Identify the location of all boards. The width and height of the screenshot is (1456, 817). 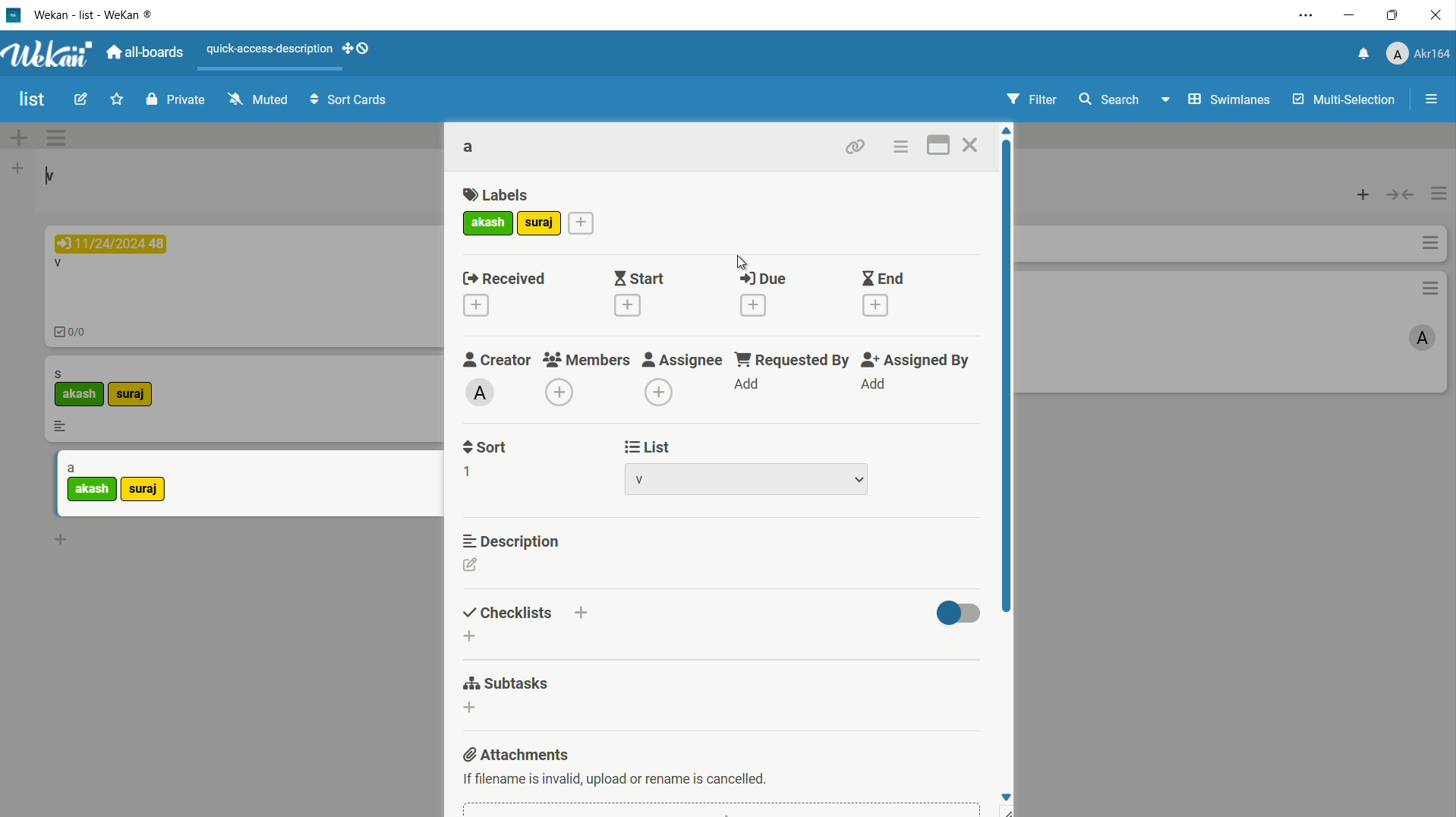
(148, 51).